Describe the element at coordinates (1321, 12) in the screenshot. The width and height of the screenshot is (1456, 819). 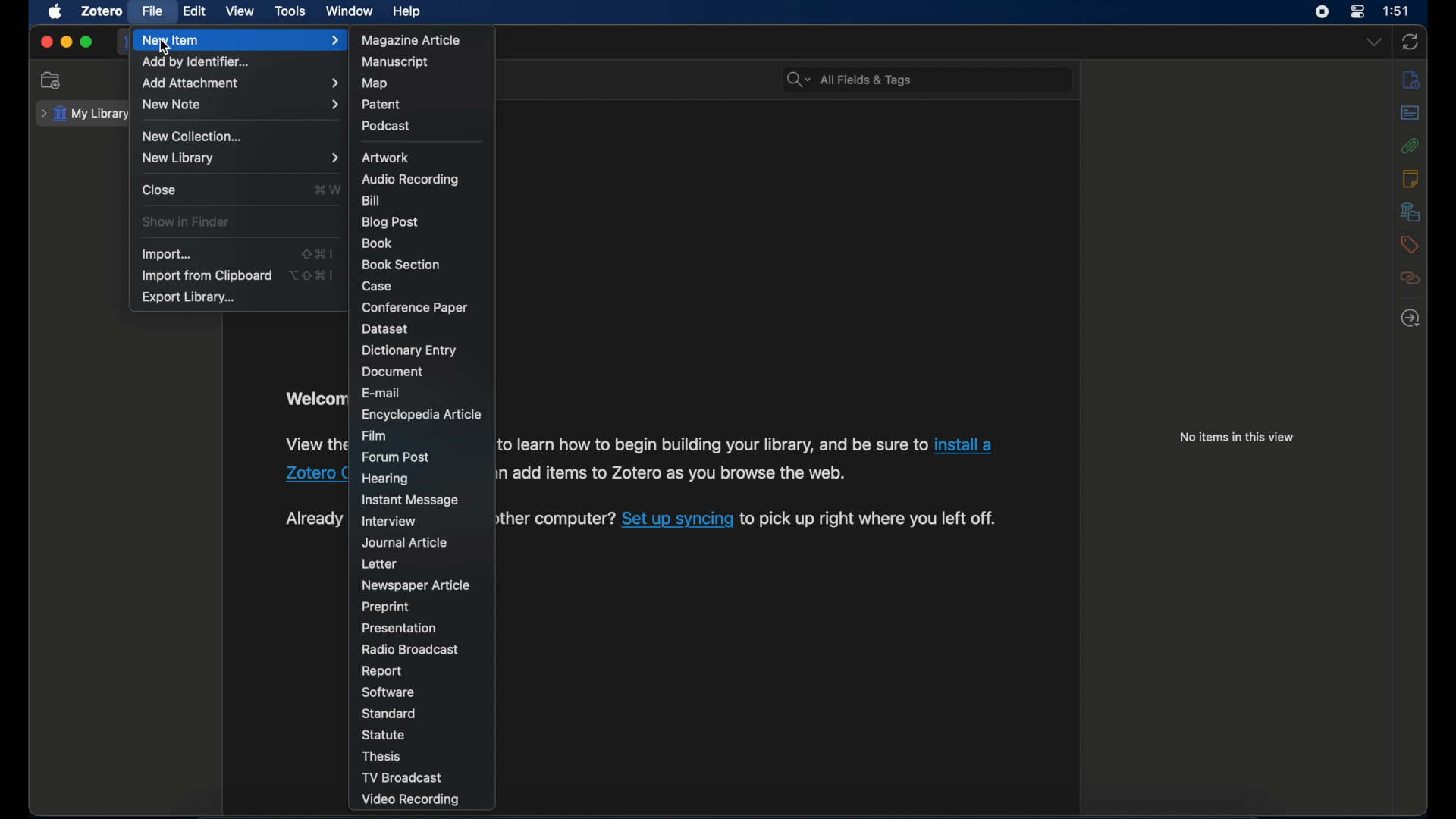
I see `screen  recorder` at that location.